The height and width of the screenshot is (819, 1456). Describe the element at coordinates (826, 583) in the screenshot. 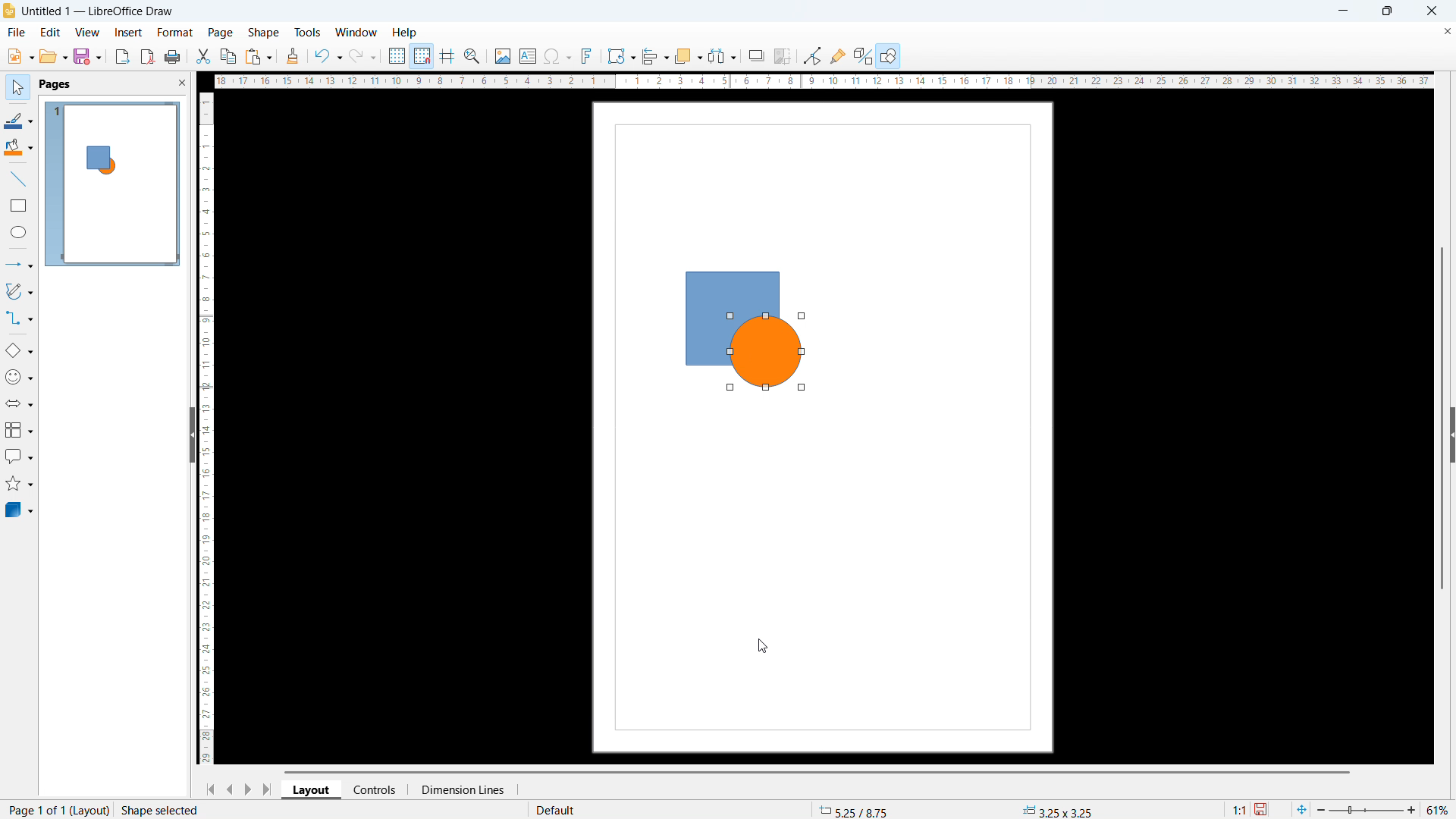

I see `page ` at that location.